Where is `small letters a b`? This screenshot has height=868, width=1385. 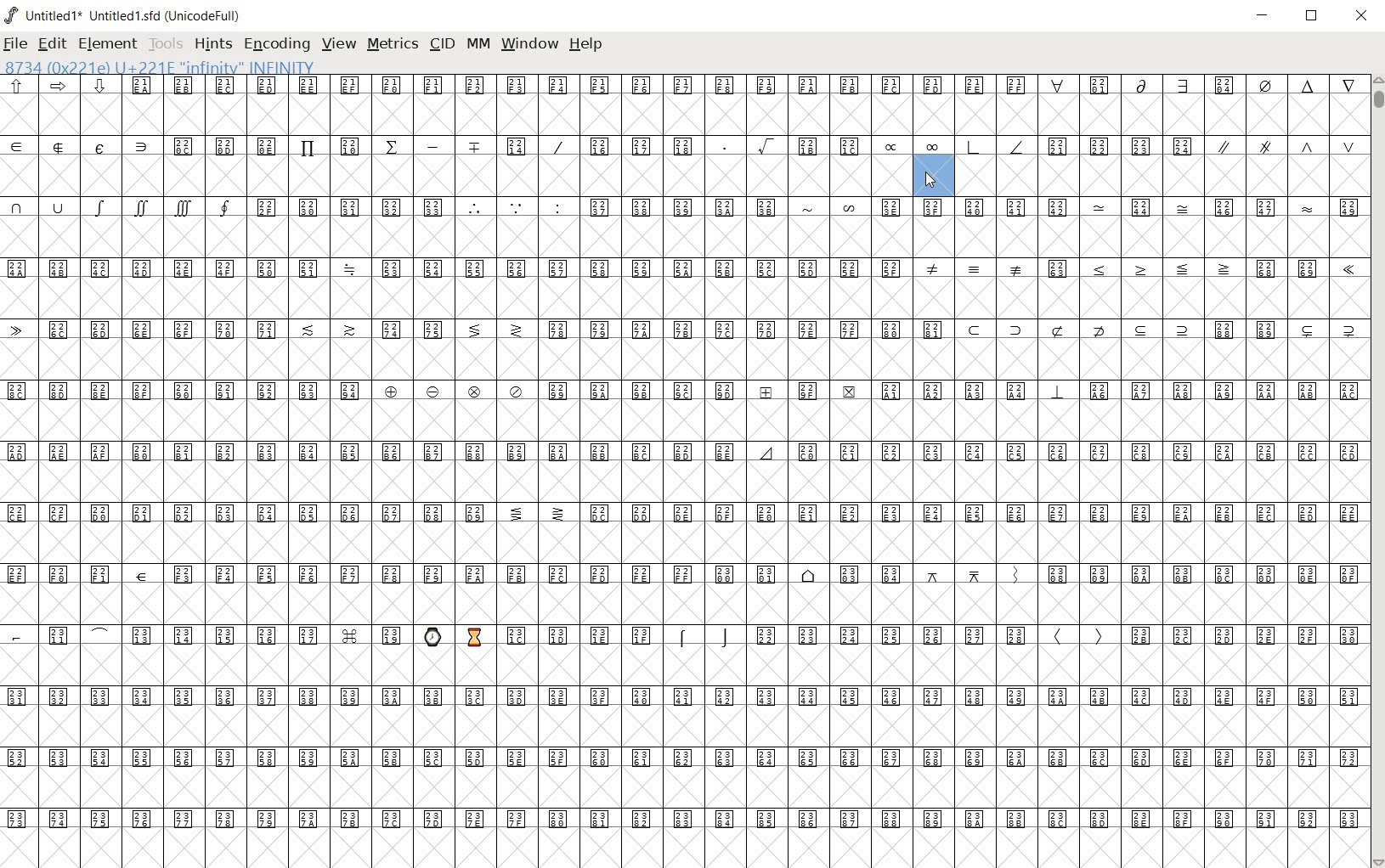
small letters a b is located at coordinates (1354, 206).